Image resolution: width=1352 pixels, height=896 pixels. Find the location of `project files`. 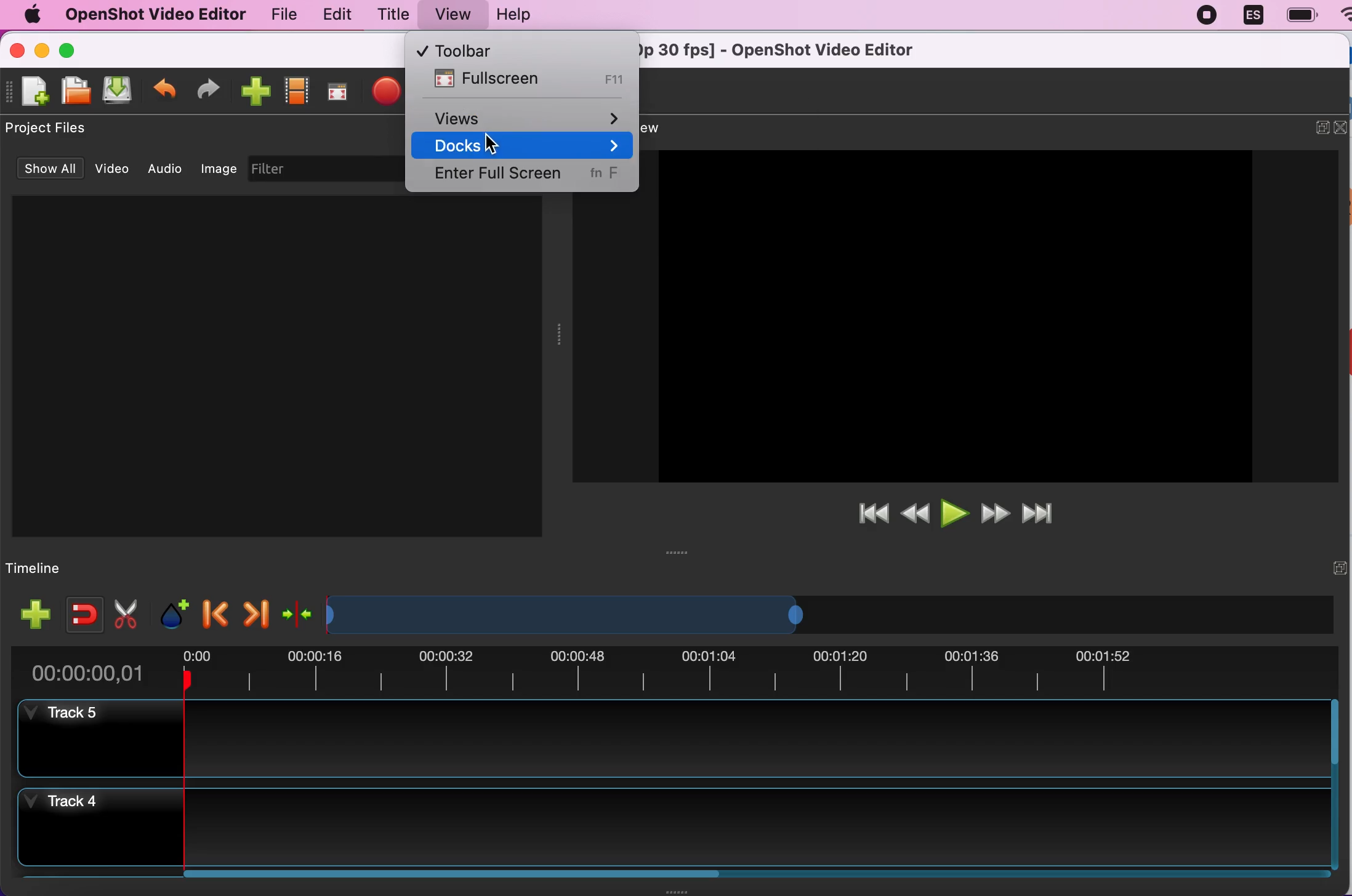

project files is located at coordinates (47, 129).